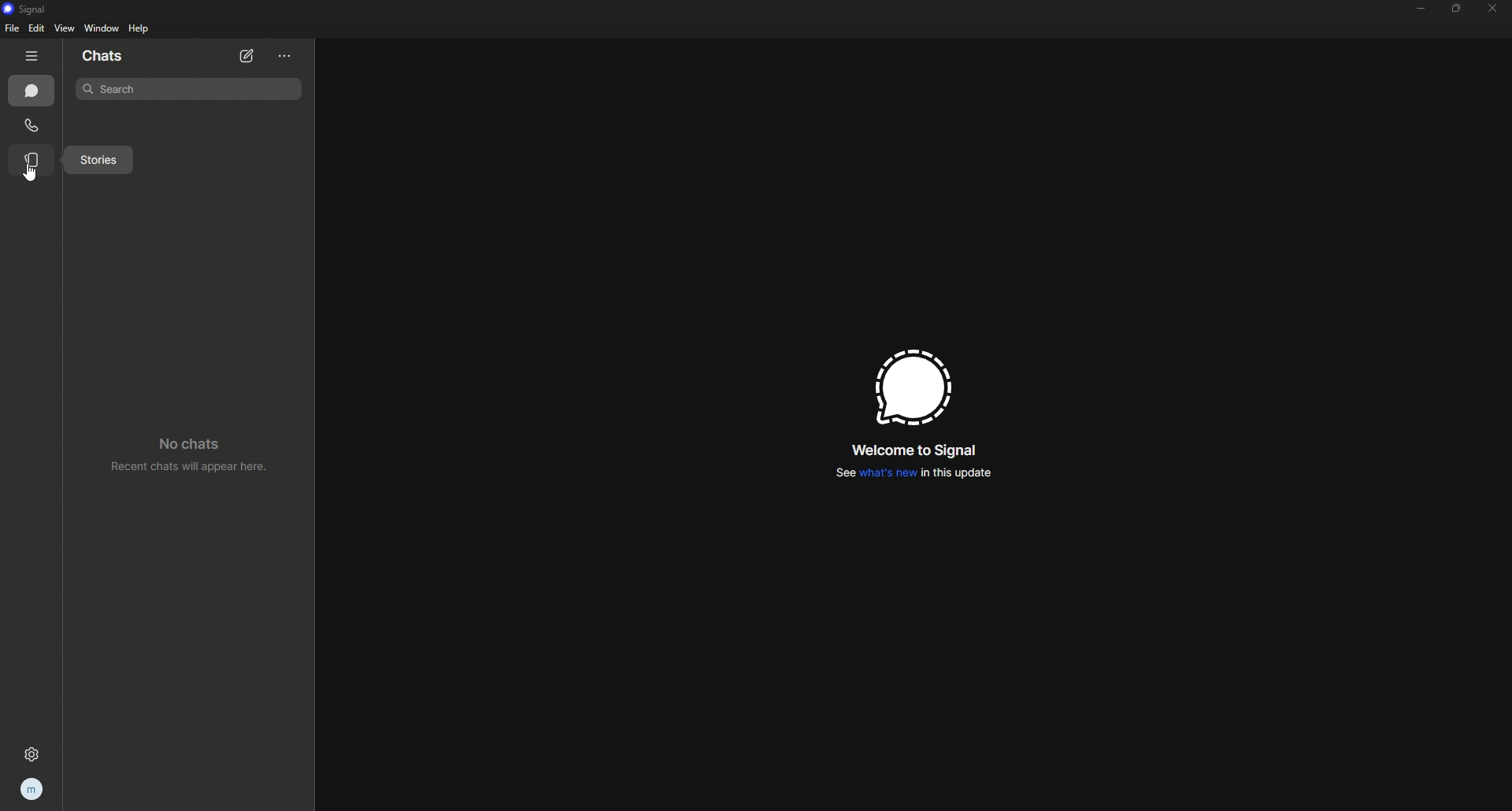 The width and height of the screenshot is (1512, 811). Describe the element at coordinates (14, 28) in the screenshot. I see `file` at that location.